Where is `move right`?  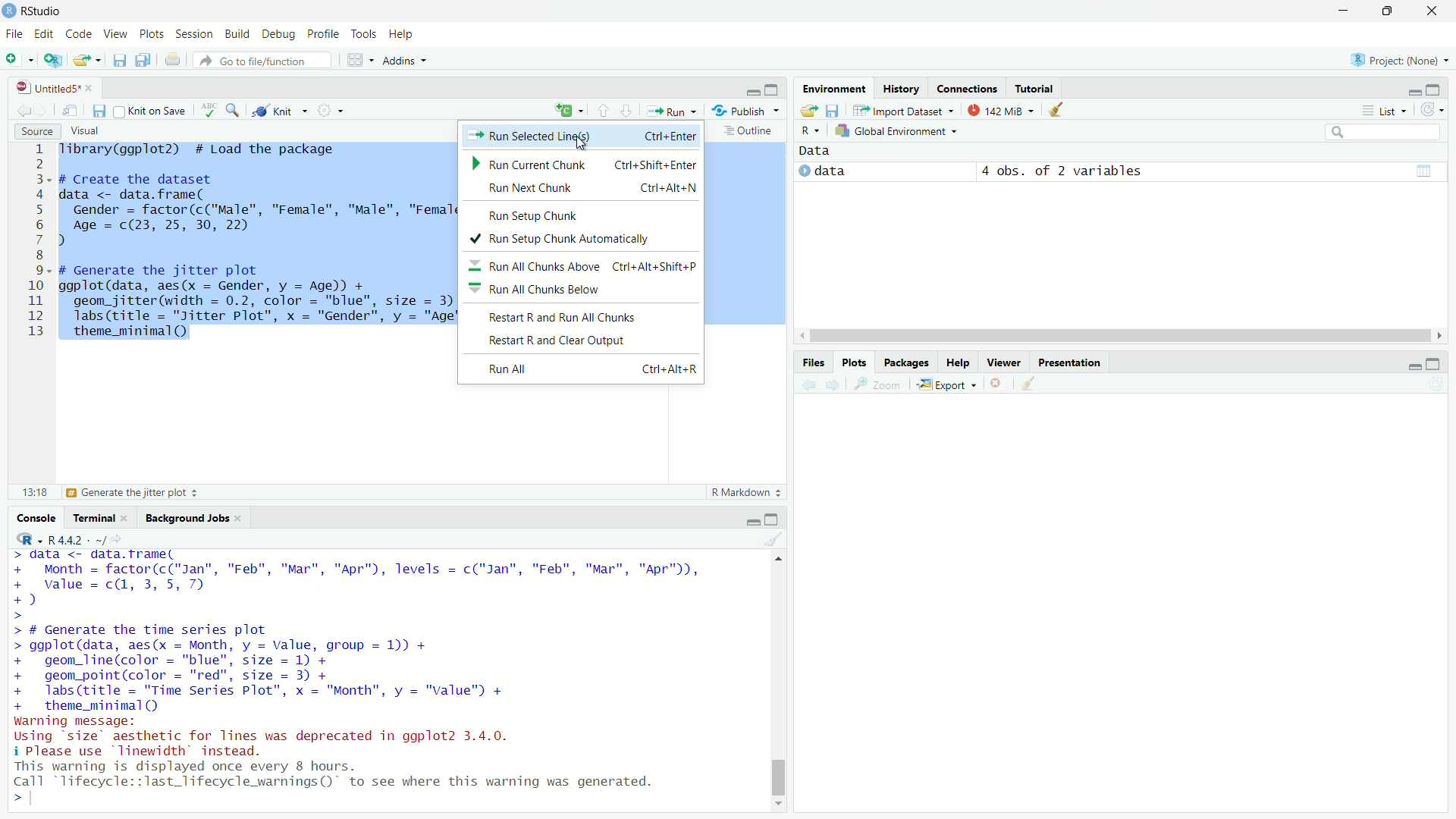 move right is located at coordinates (1439, 335).